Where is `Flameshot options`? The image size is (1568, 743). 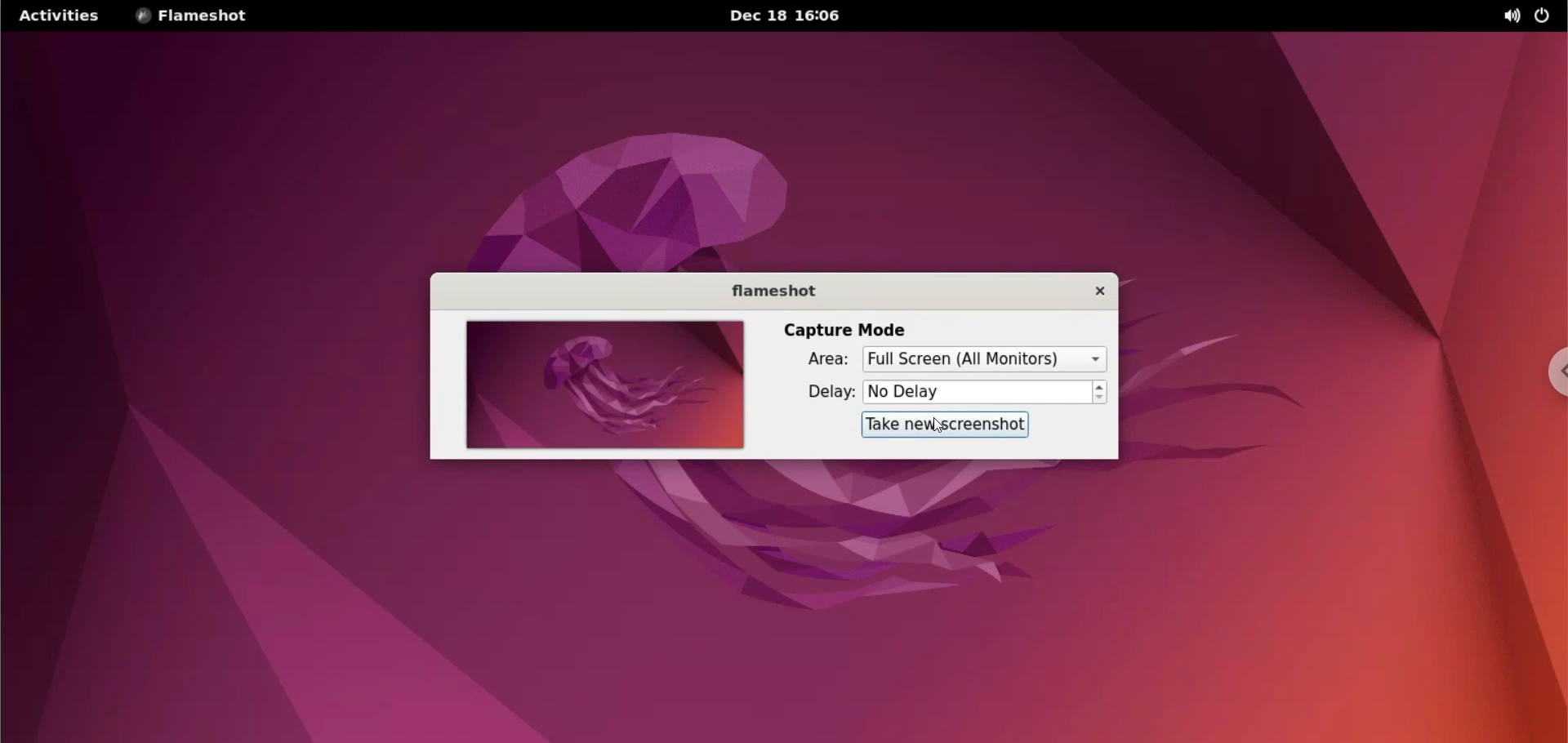
Flameshot options is located at coordinates (197, 16).